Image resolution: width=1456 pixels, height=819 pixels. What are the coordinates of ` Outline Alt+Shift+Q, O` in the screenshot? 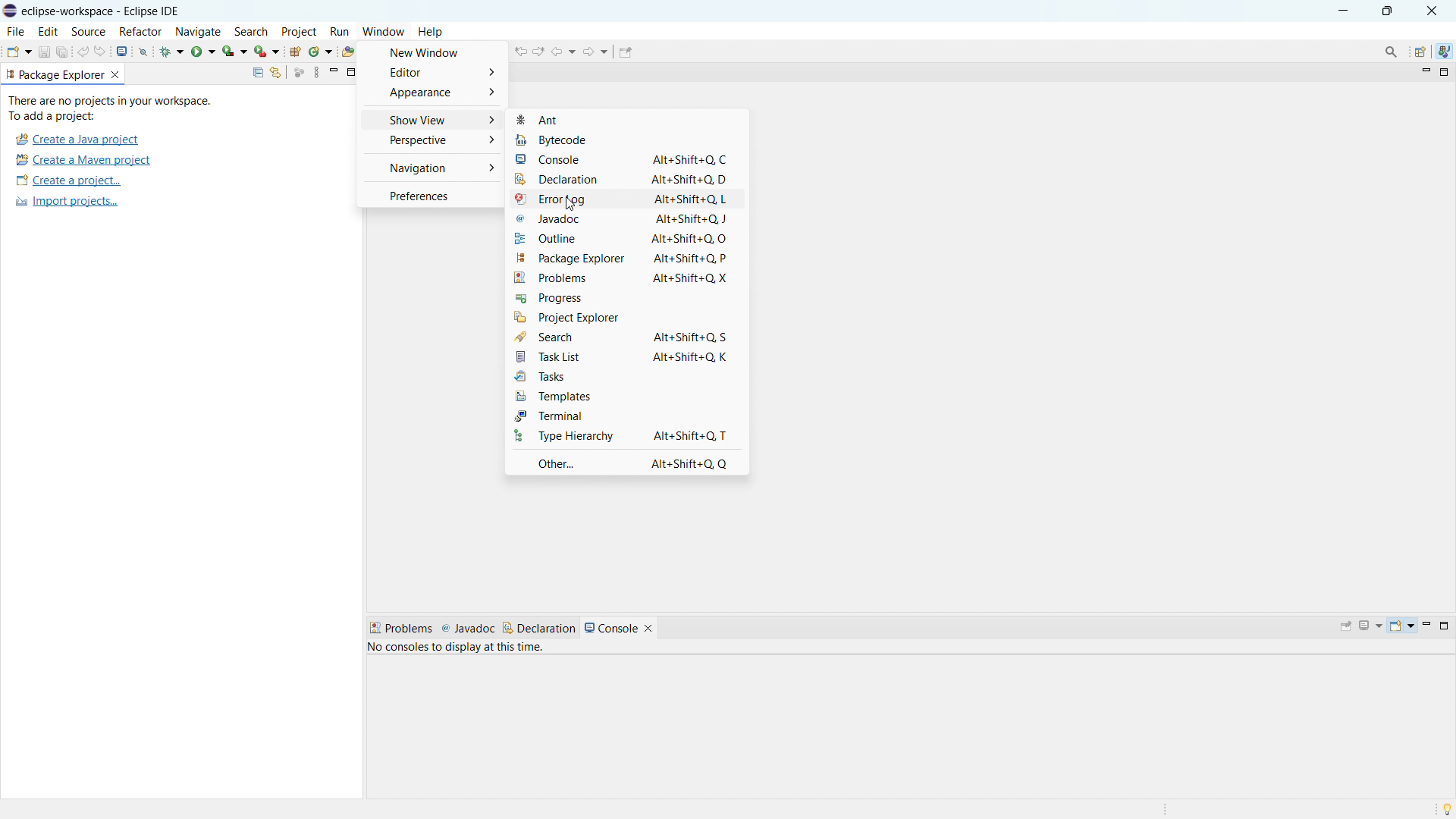 It's located at (621, 237).